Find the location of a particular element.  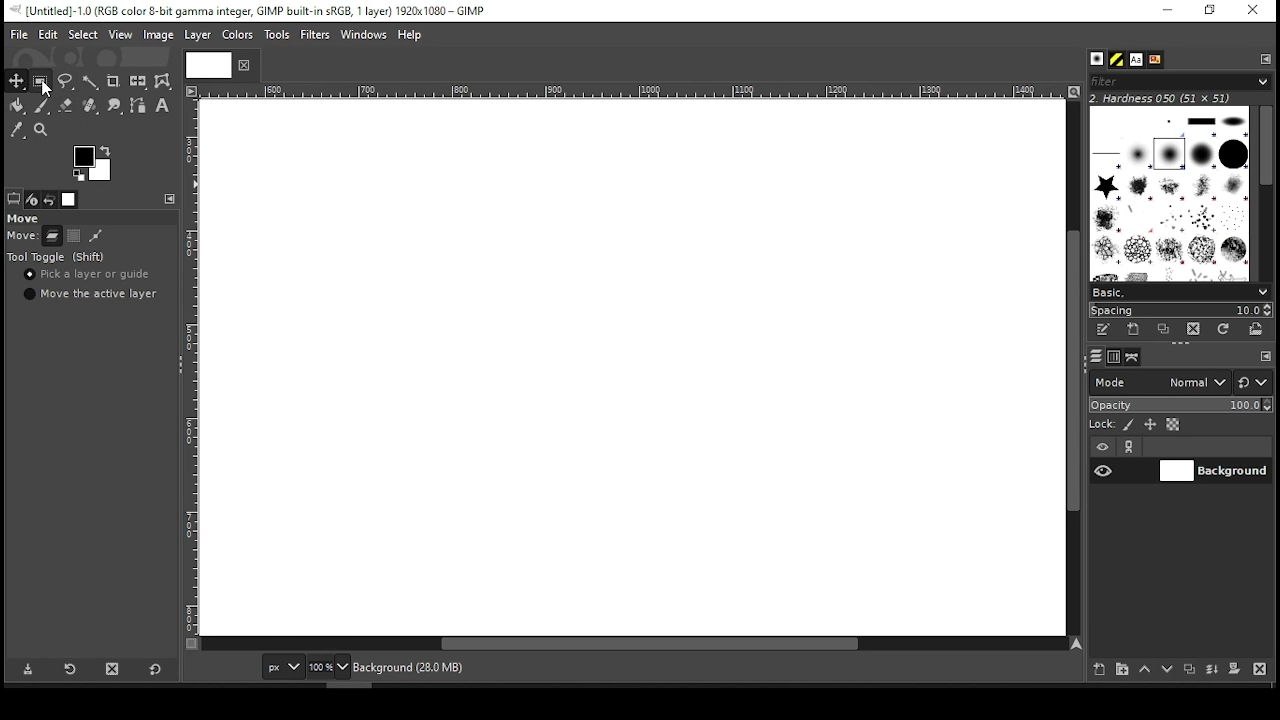

tools is located at coordinates (279, 36).